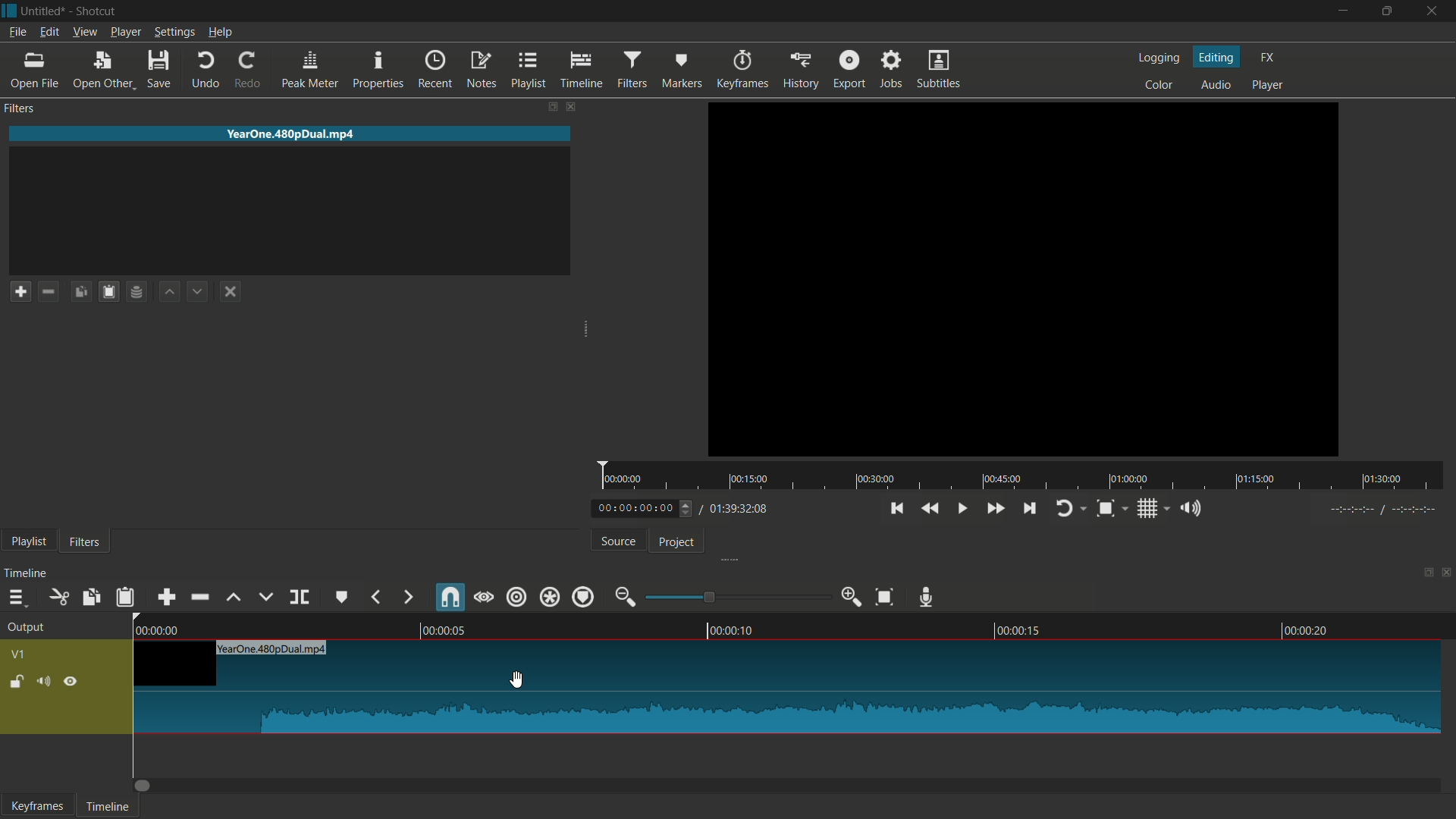 Image resolution: width=1456 pixels, height=819 pixels. Describe the element at coordinates (161, 629) in the screenshot. I see `00:00:00` at that location.